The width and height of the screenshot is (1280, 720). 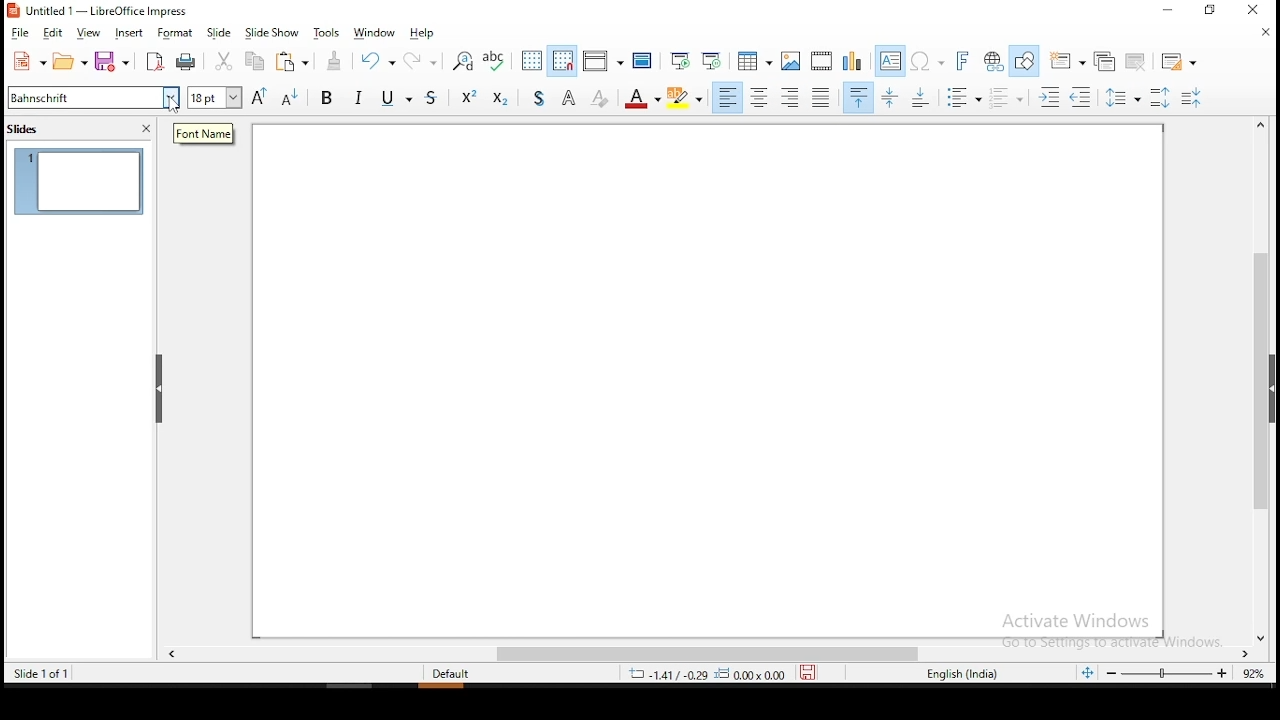 I want to click on strikethrough, so click(x=436, y=100).